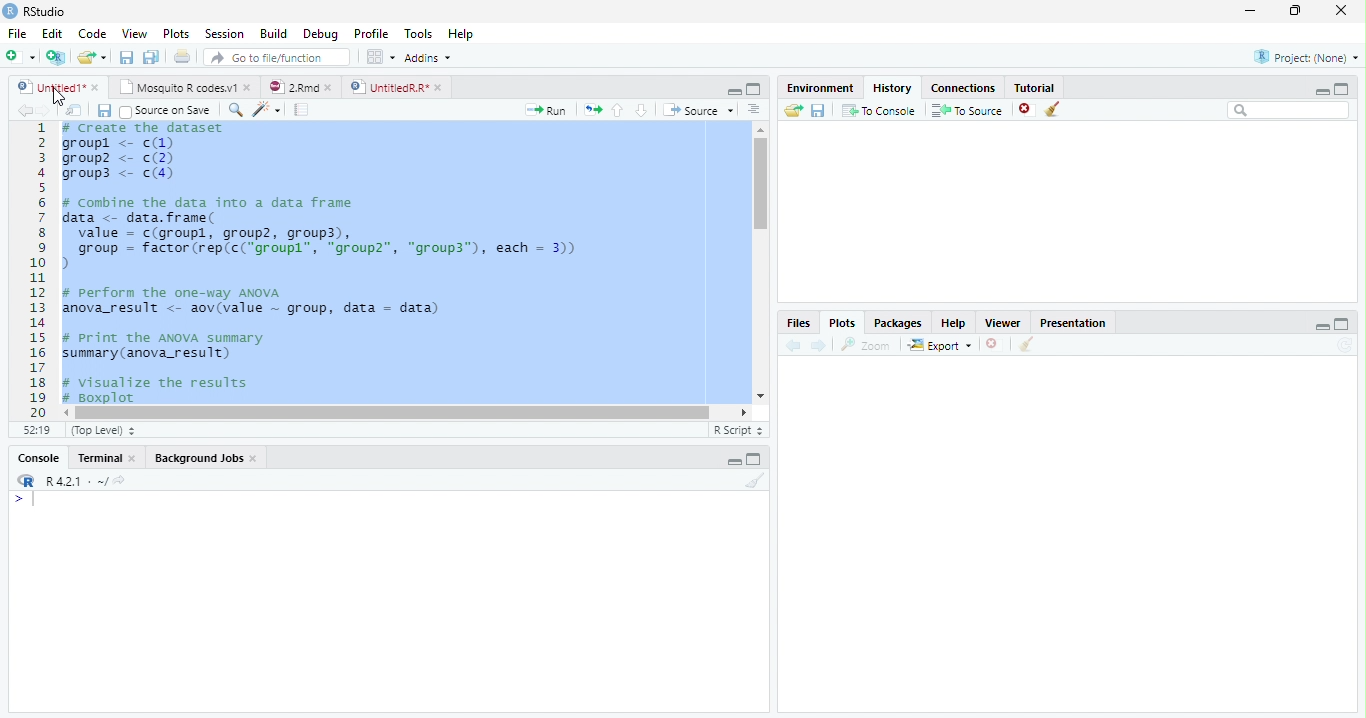  Describe the element at coordinates (38, 460) in the screenshot. I see `Console` at that location.